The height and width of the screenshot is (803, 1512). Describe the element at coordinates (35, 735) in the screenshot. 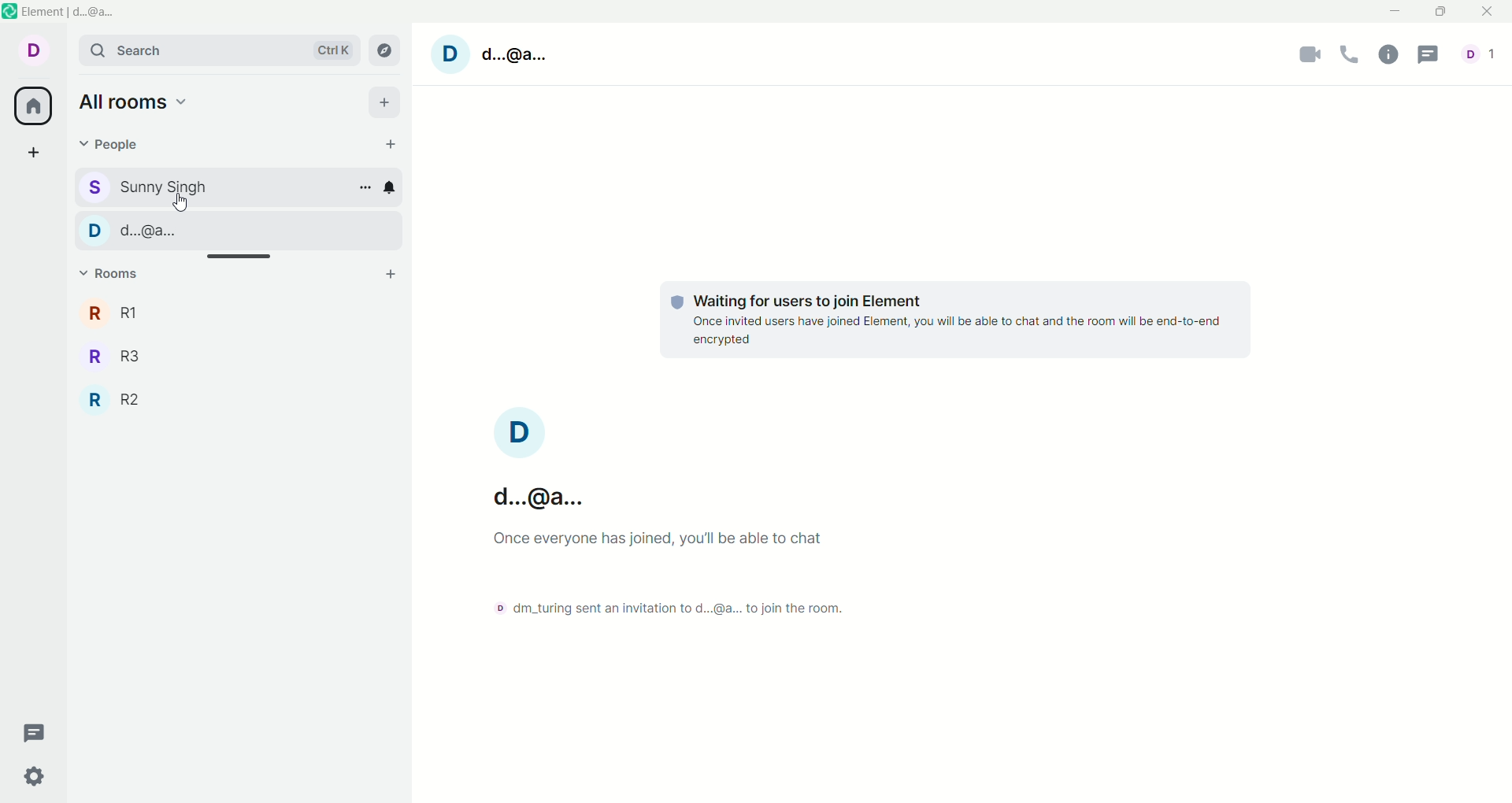

I see `threads` at that location.